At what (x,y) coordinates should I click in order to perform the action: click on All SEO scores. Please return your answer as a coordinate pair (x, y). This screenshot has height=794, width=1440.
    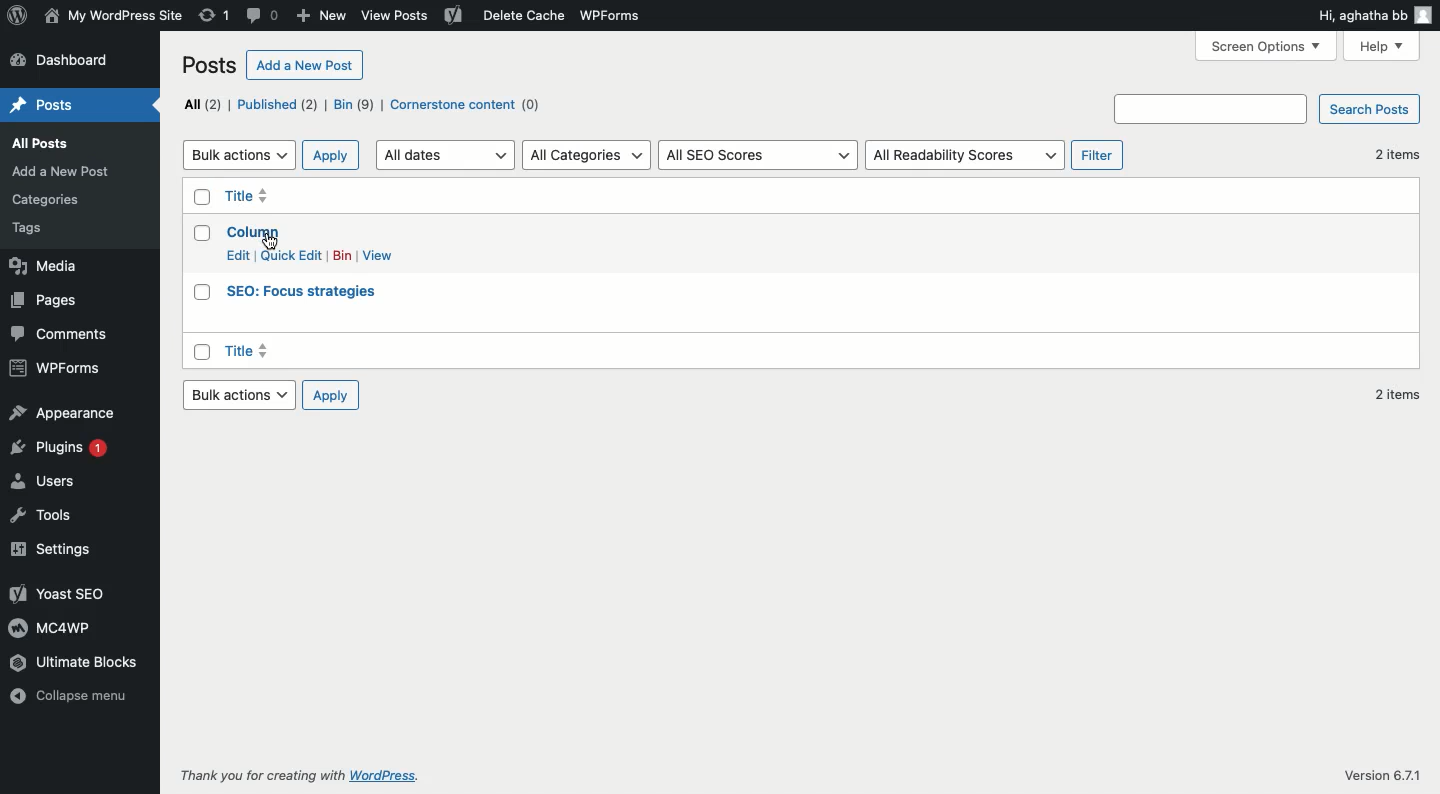
    Looking at the image, I should click on (757, 157).